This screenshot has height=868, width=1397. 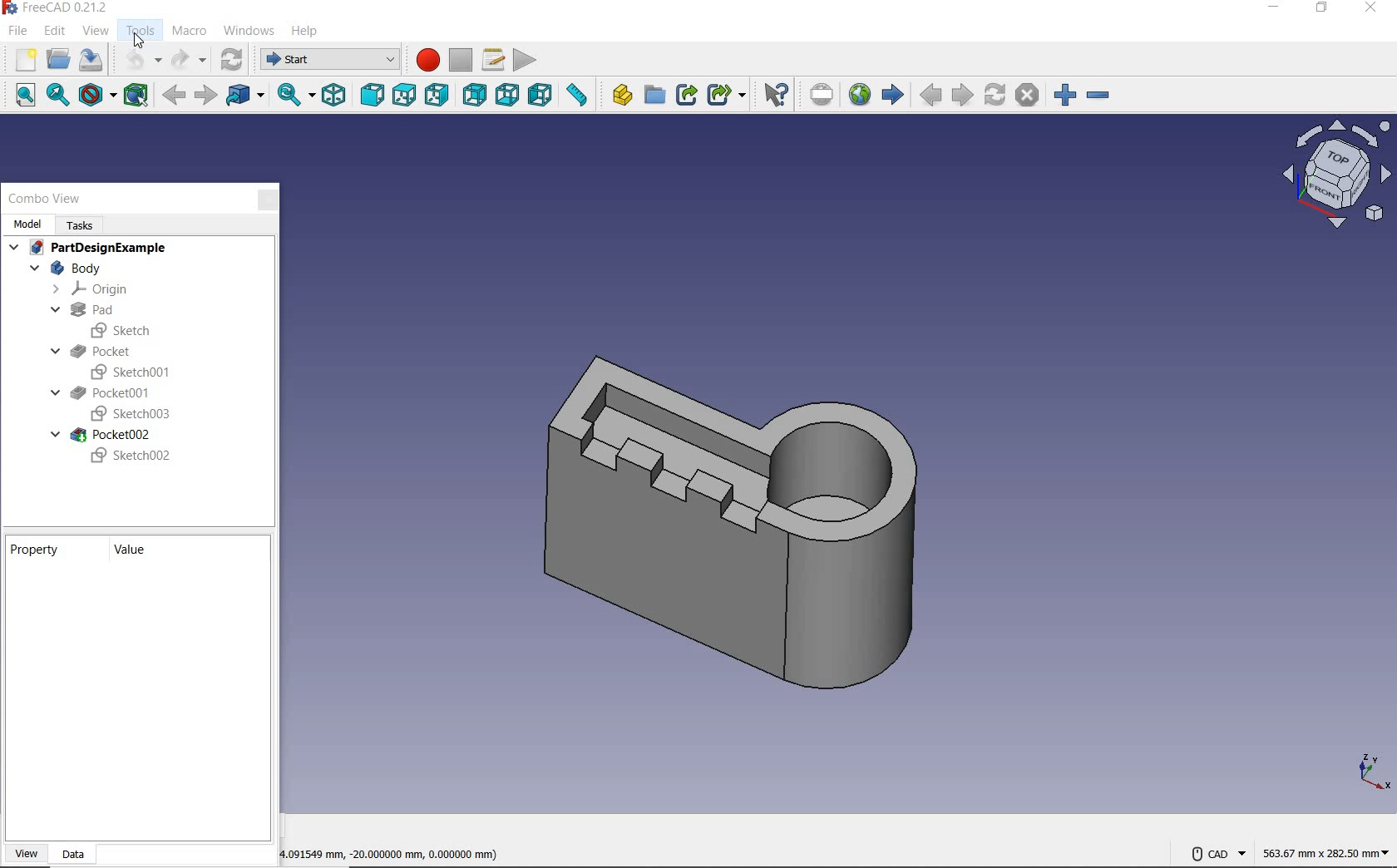 What do you see at coordinates (748, 509) in the screenshot?
I see `FreeCAD design` at bounding box center [748, 509].